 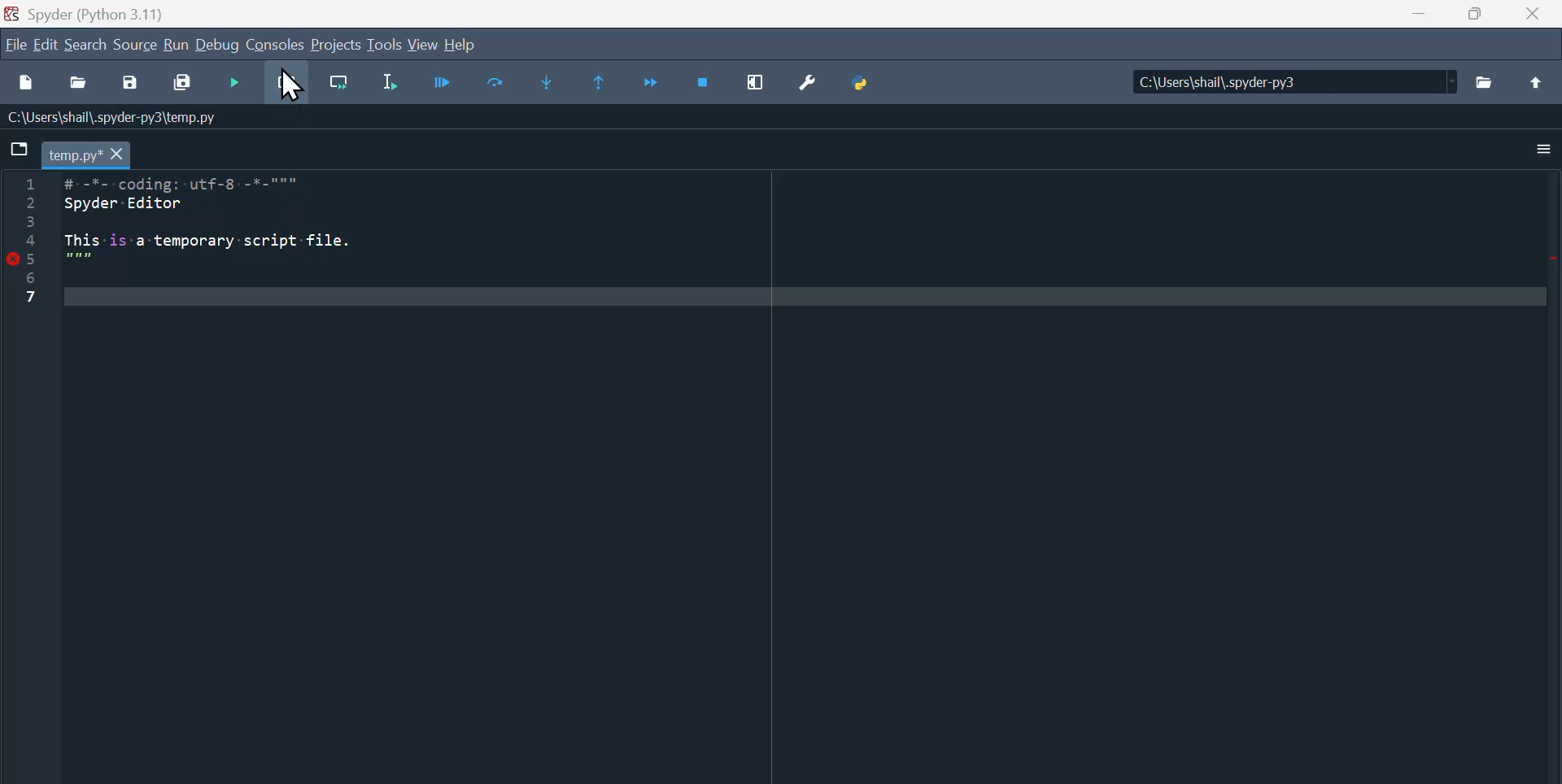 What do you see at coordinates (235, 85) in the screenshot?
I see `Start debugging` at bounding box center [235, 85].